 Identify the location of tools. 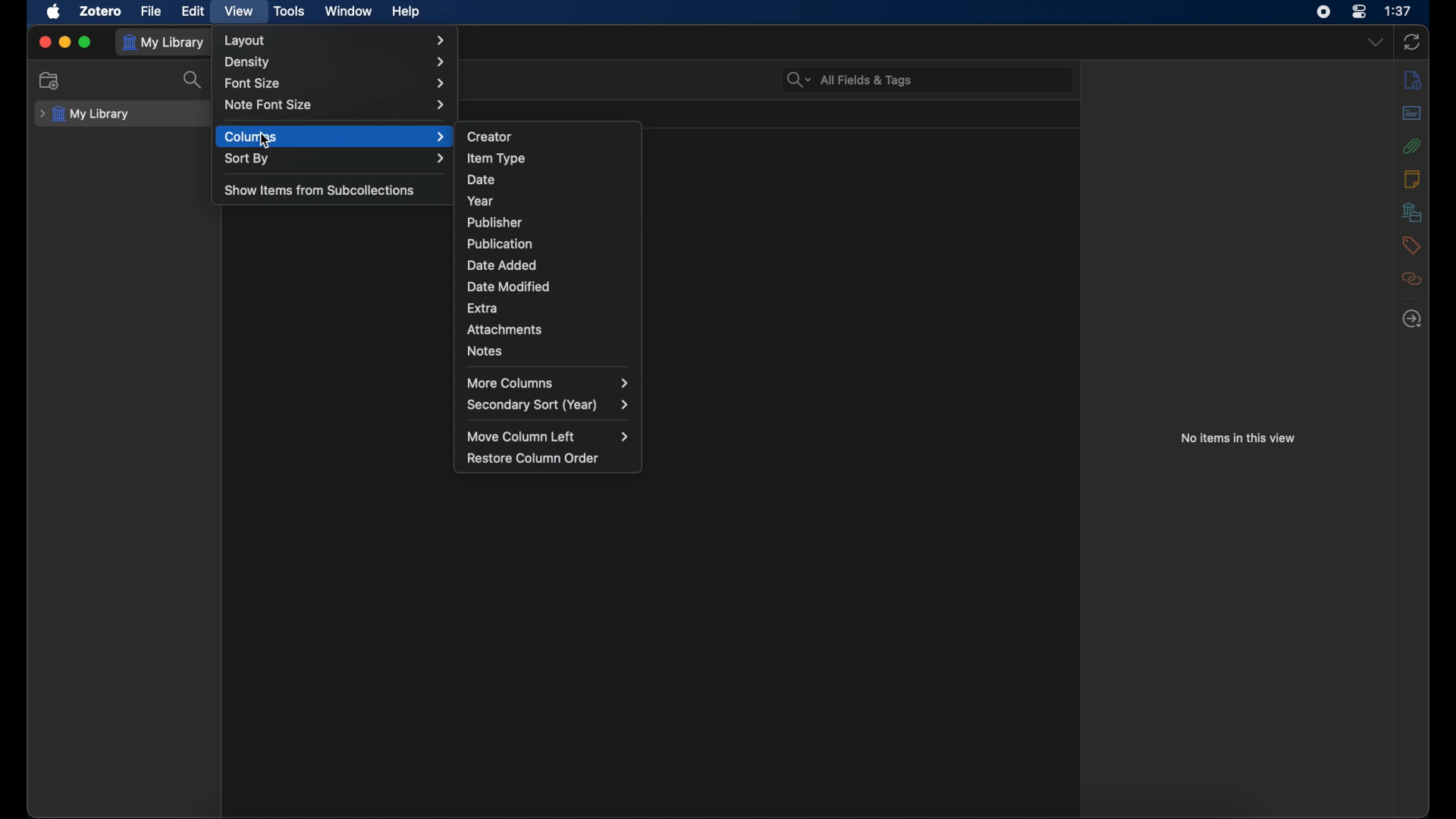
(290, 11).